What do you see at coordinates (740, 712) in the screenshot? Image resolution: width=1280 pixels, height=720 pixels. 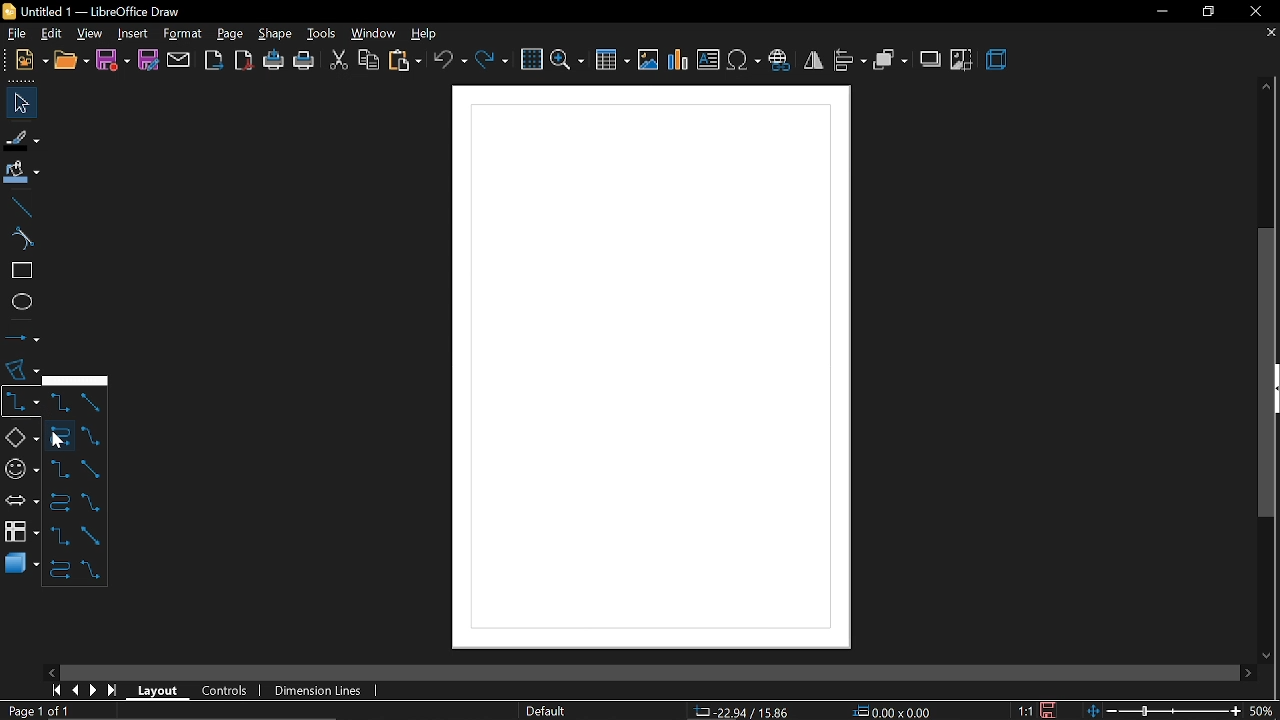 I see `-22.94/15.86` at bounding box center [740, 712].